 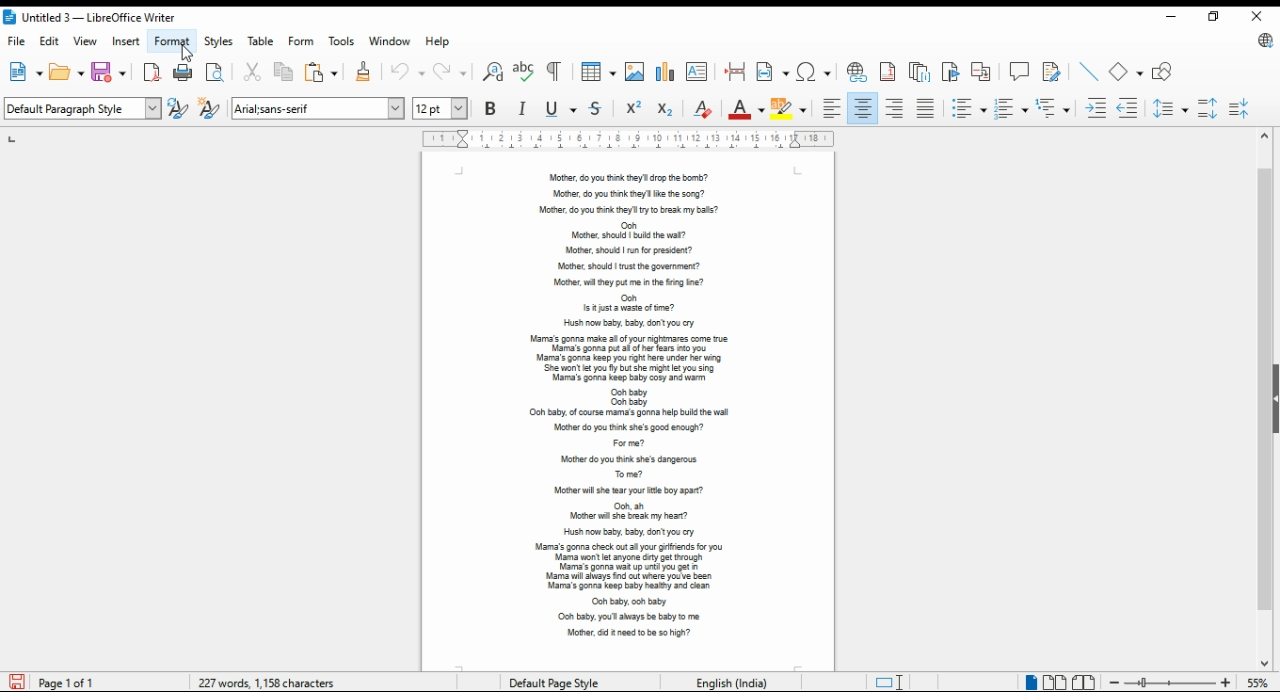 What do you see at coordinates (1260, 18) in the screenshot?
I see `close window` at bounding box center [1260, 18].